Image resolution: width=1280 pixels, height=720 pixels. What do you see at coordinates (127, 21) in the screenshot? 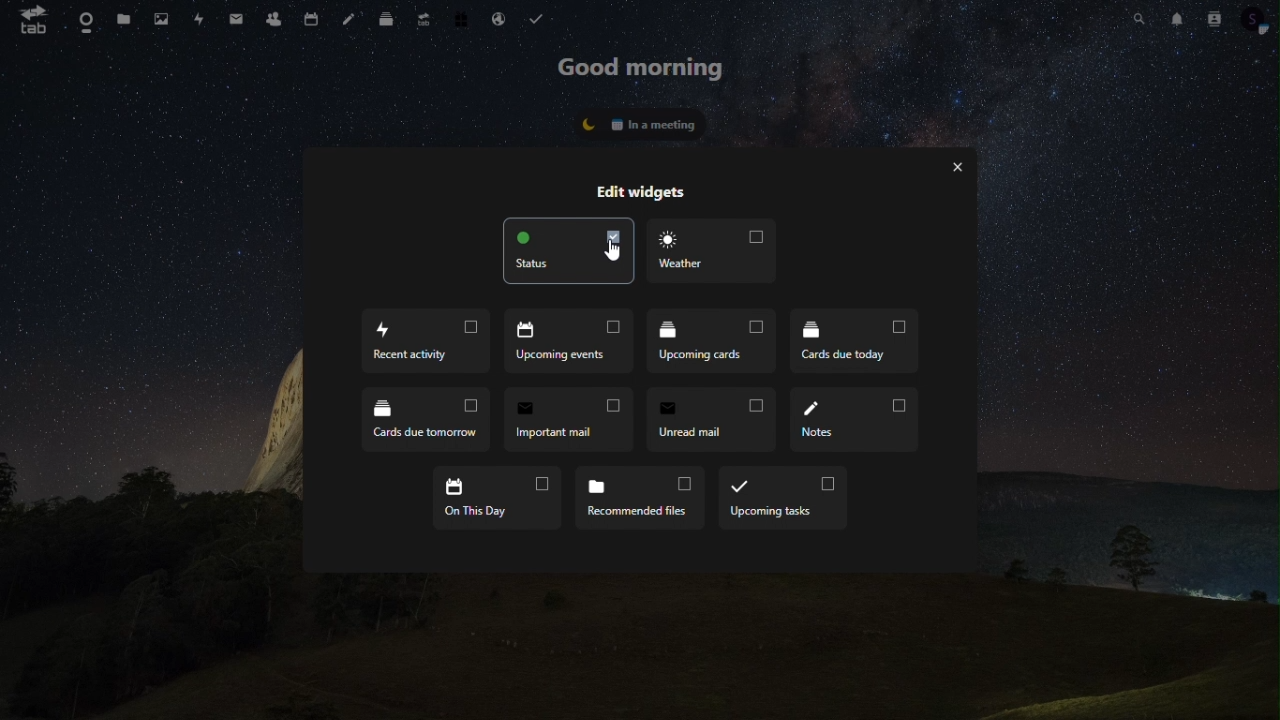
I see `files` at bounding box center [127, 21].